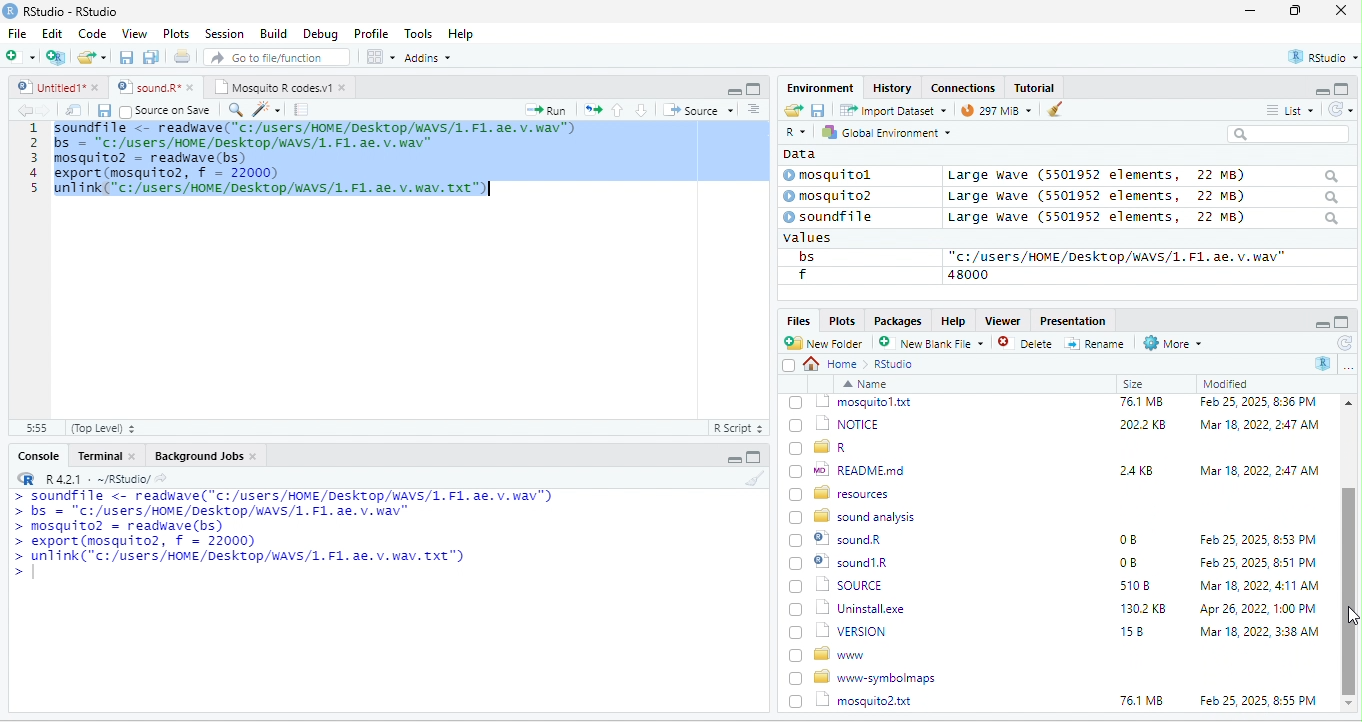  Describe the element at coordinates (462, 35) in the screenshot. I see `Help` at that location.